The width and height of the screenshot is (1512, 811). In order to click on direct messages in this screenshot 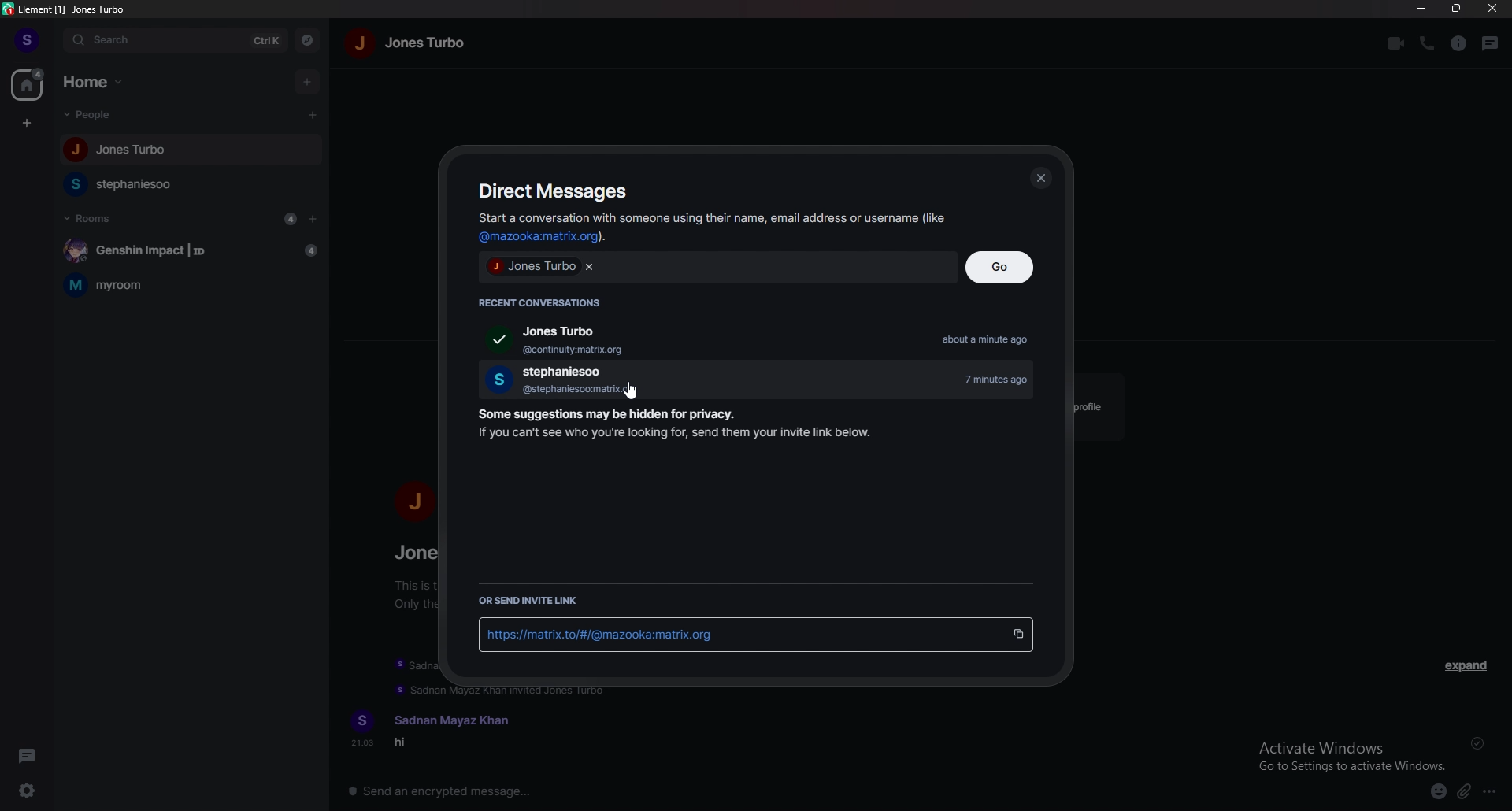, I will do `click(558, 191)`.